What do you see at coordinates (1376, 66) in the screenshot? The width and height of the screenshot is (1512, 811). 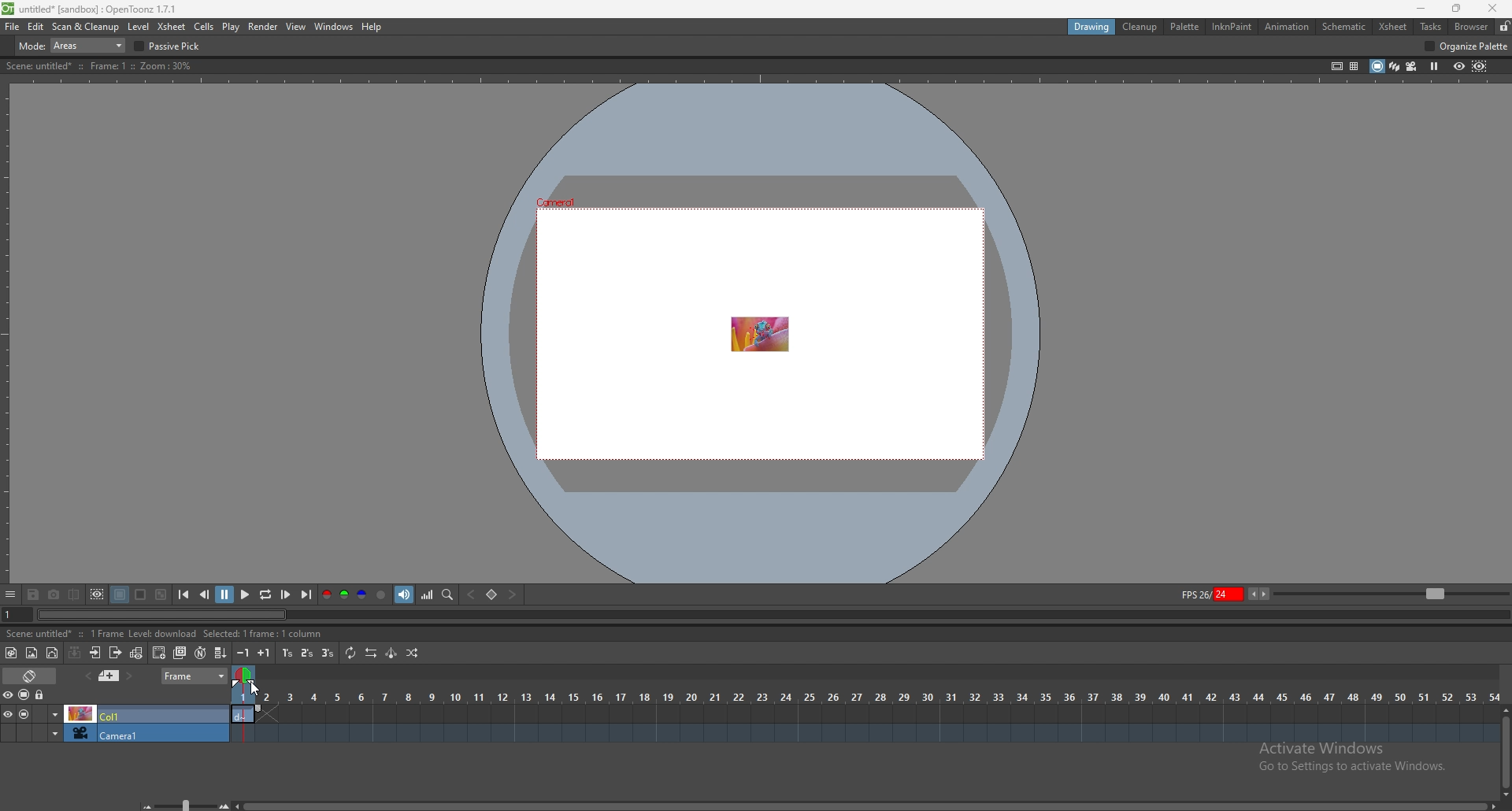 I see `camera stand view` at bounding box center [1376, 66].